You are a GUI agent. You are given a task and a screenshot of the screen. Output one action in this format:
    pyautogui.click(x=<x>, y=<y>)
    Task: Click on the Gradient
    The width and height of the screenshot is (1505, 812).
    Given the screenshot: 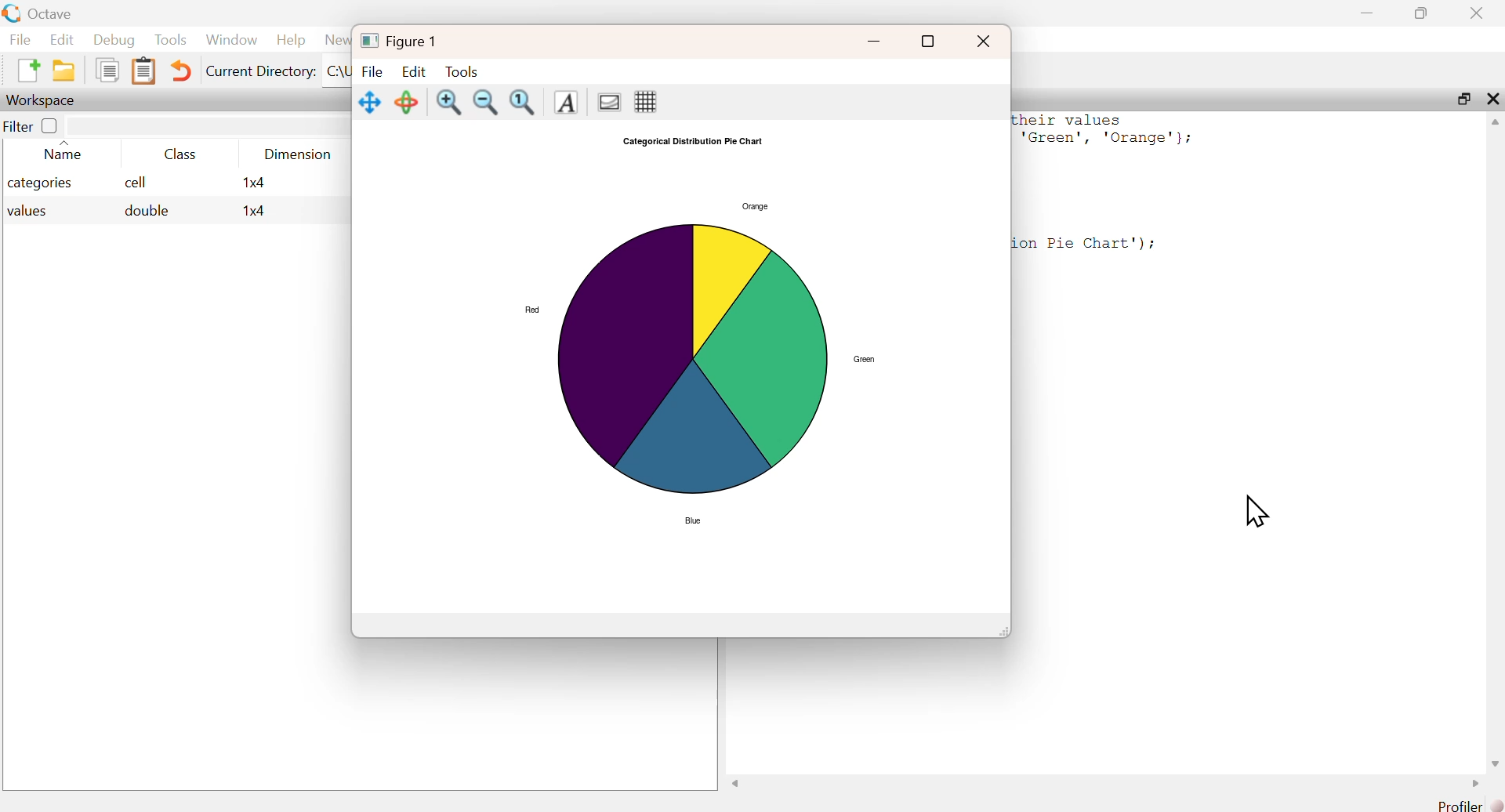 What is the action you would take?
    pyautogui.click(x=608, y=103)
    